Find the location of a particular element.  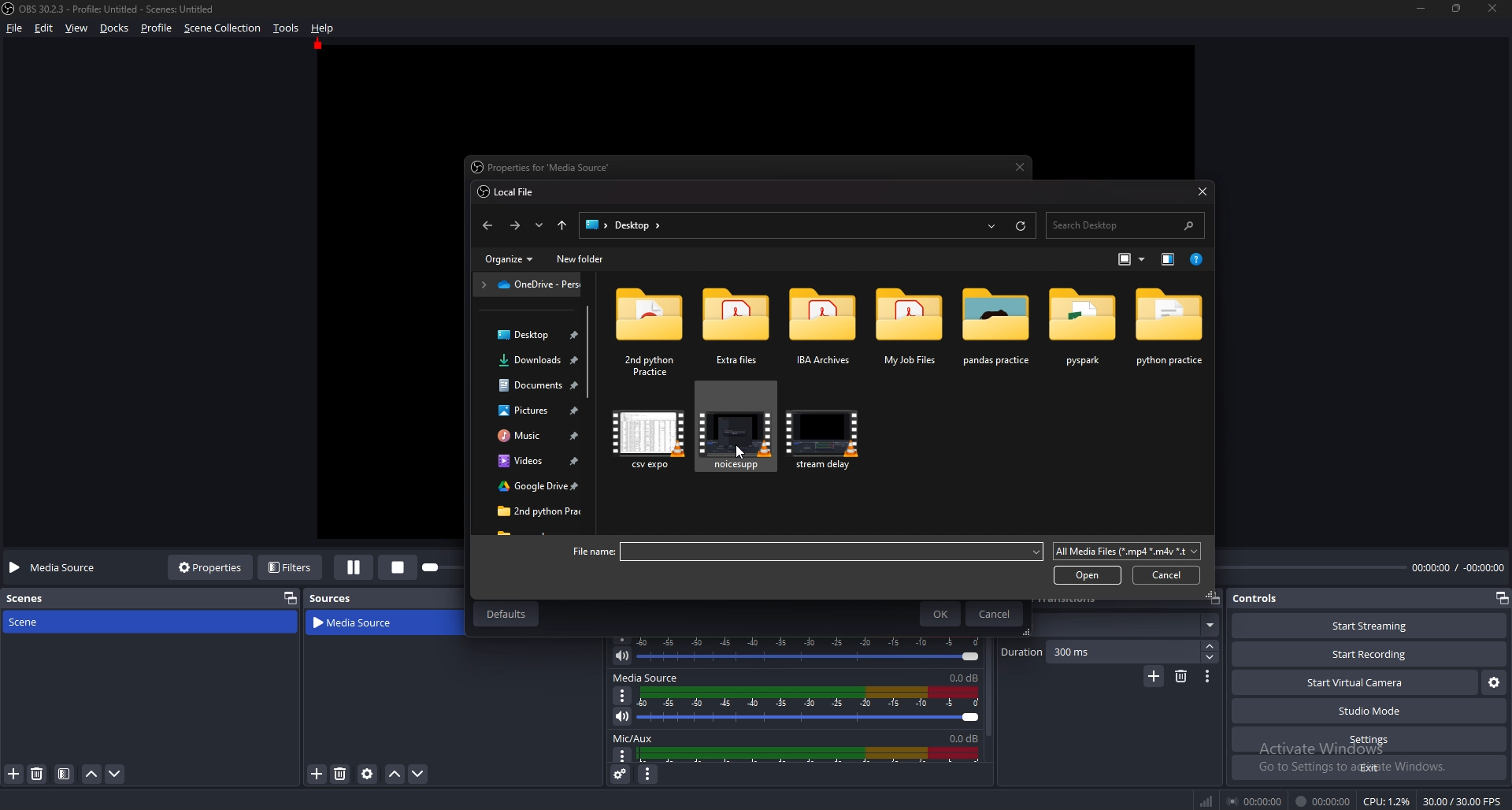

Remove configurable transitions is located at coordinates (1182, 675).